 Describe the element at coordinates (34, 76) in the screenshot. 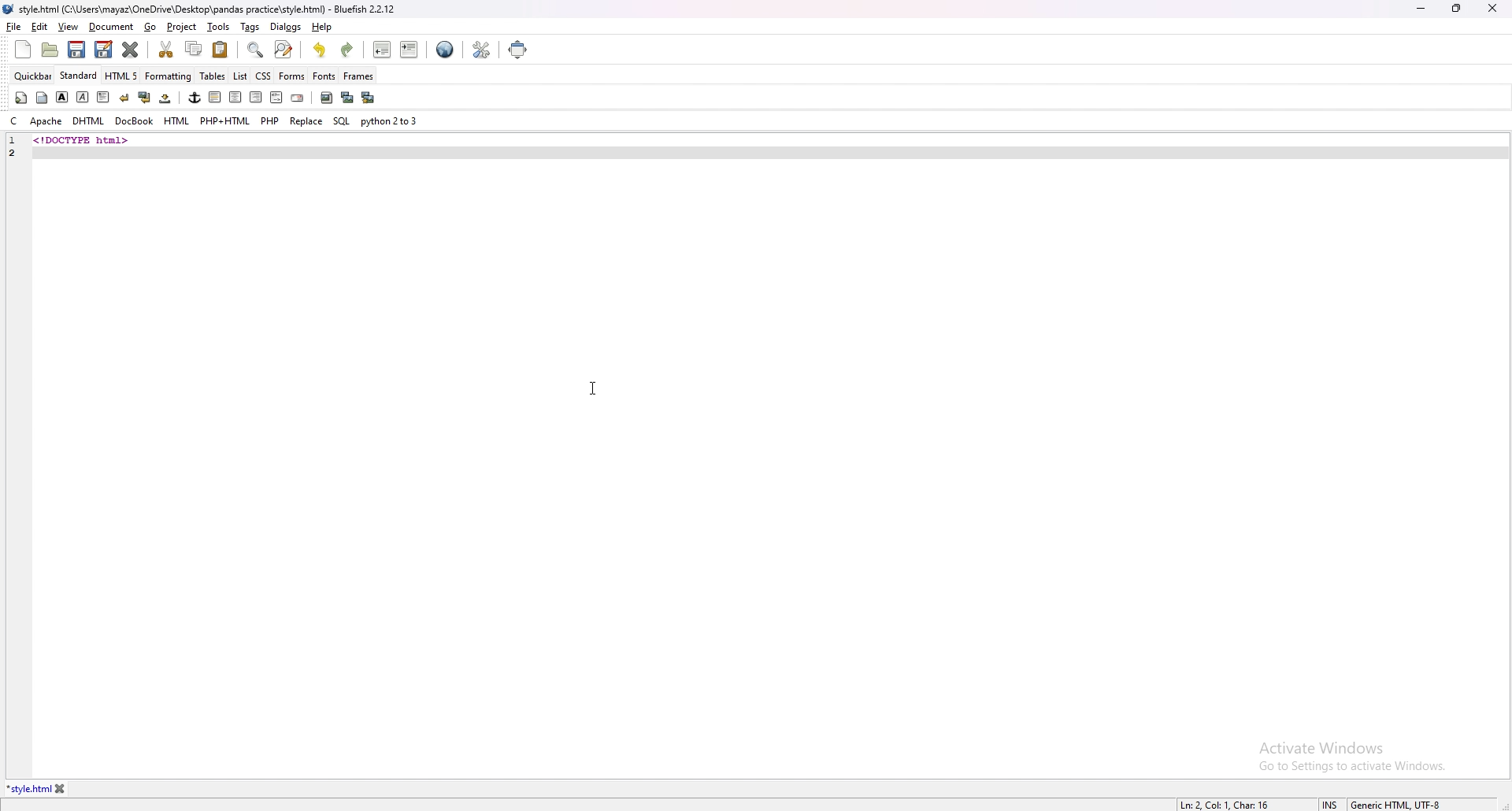

I see `quickbar` at that location.